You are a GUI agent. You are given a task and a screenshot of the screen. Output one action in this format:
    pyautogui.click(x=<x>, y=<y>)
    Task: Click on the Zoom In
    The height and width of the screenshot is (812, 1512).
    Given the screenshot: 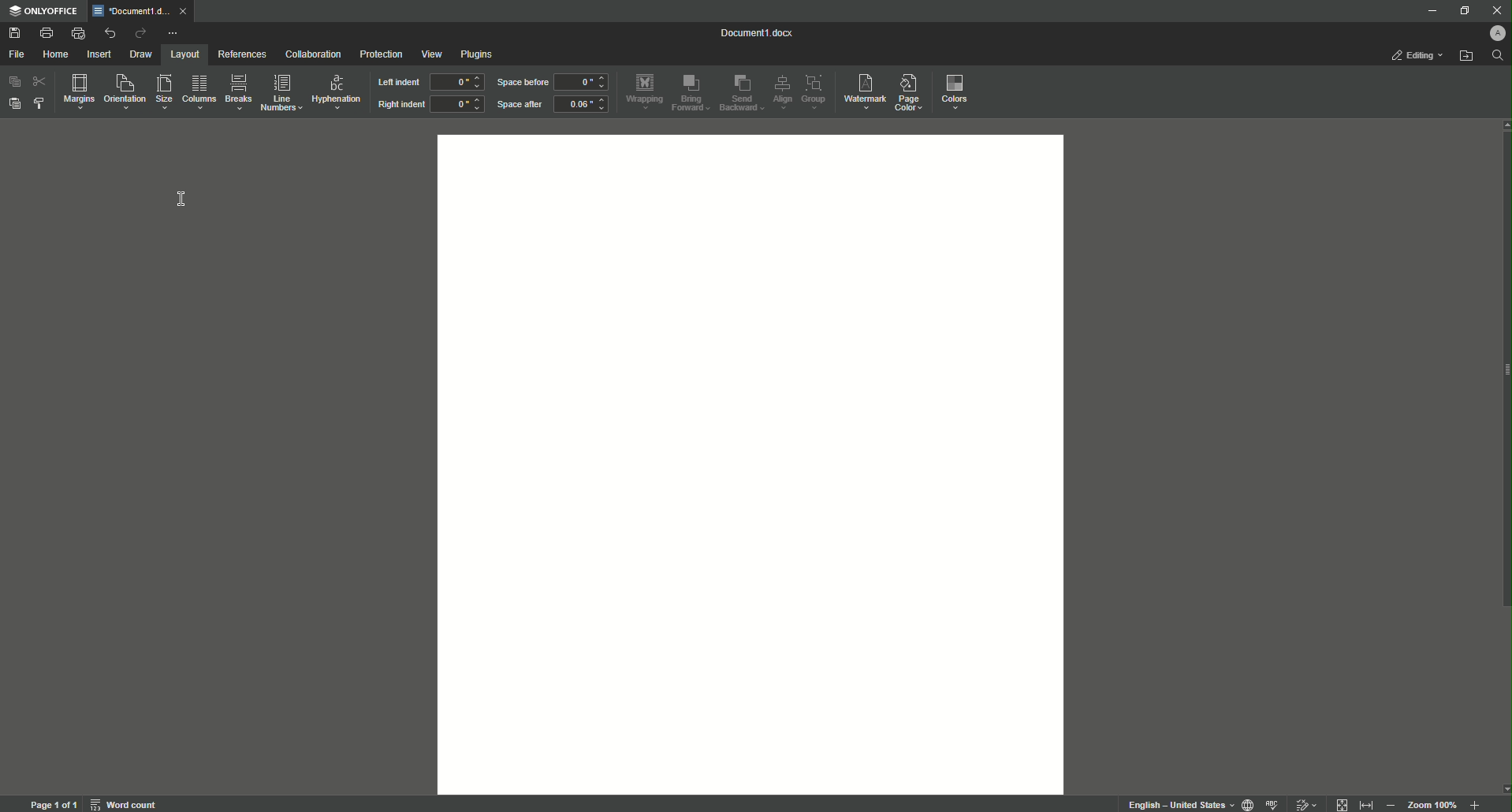 What is the action you would take?
    pyautogui.click(x=1392, y=803)
    